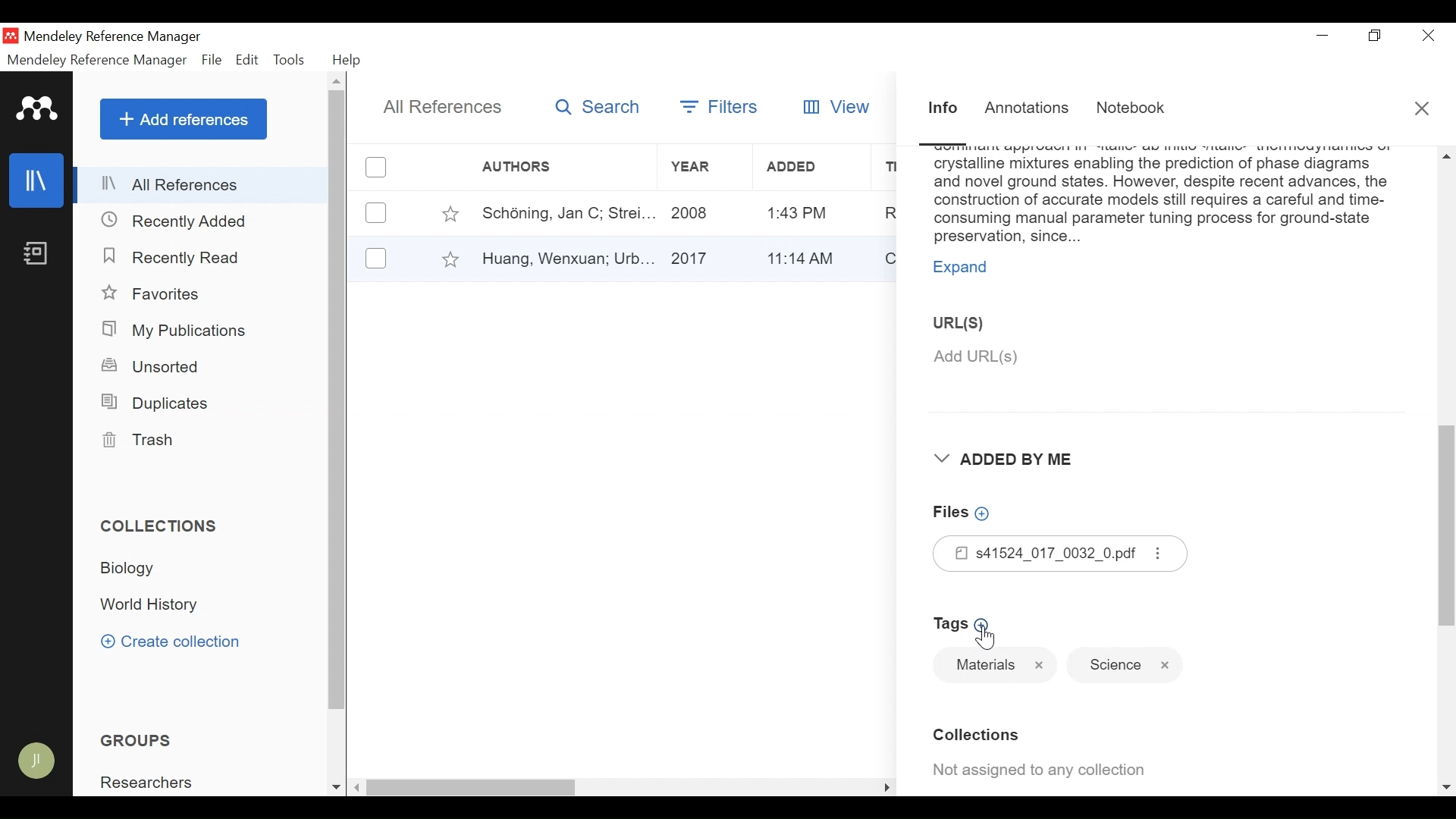 The width and height of the screenshot is (1456, 819). Describe the element at coordinates (981, 733) in the screenshot. I see `Collection` at that location.